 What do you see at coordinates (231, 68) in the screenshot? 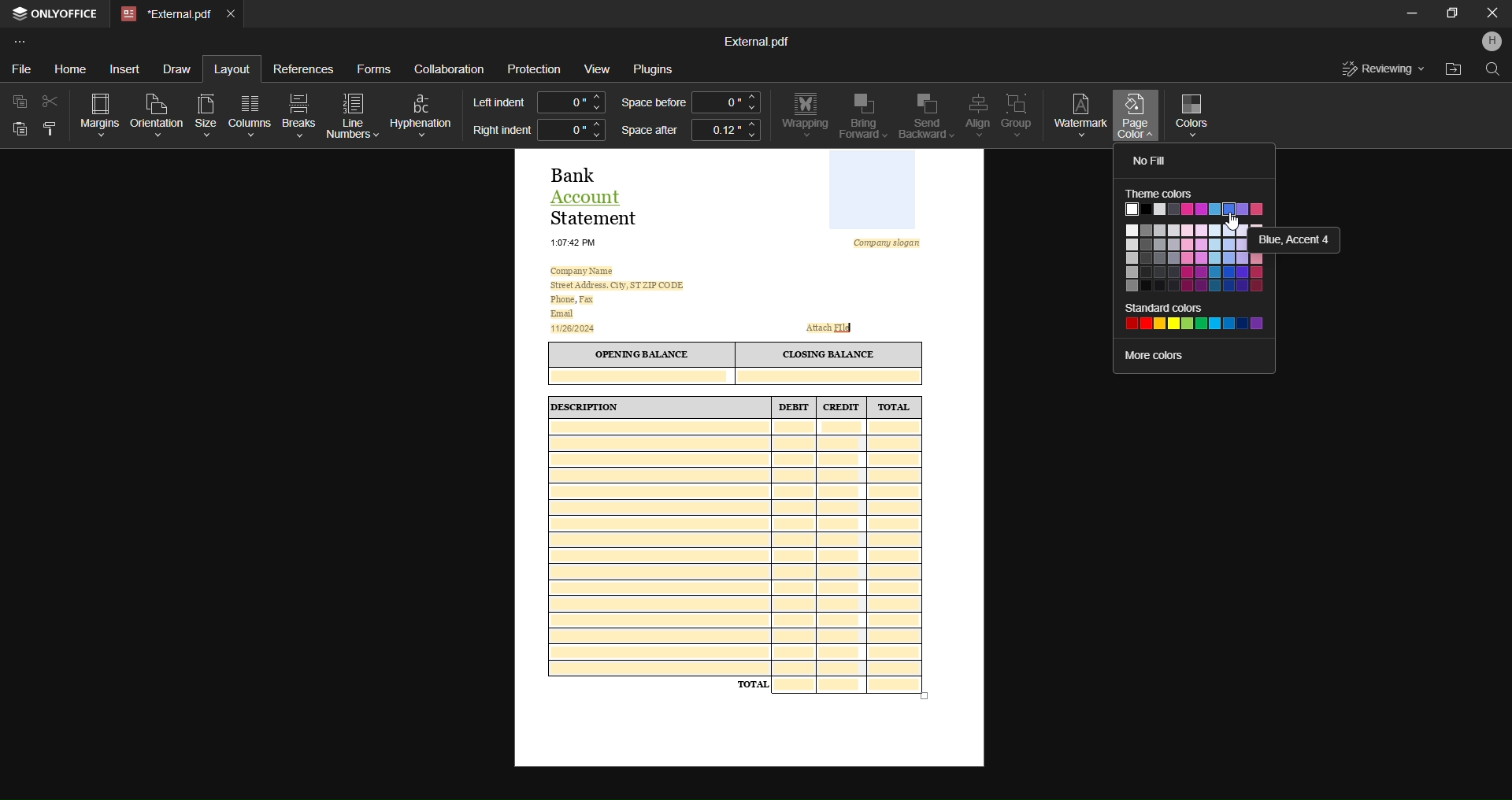
I see `Layout` at bounding box center [231, 68].